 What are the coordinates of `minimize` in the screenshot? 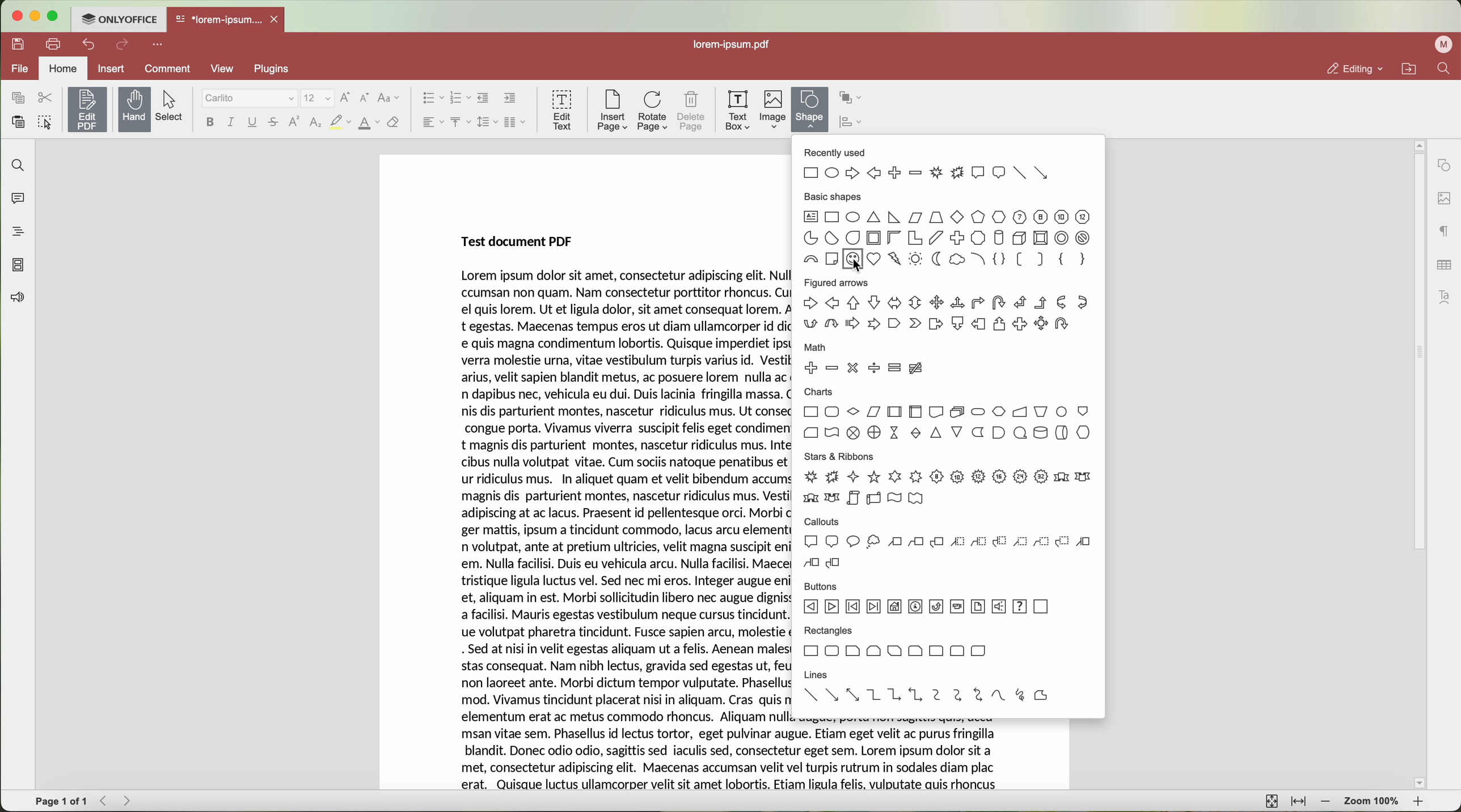 It's located at (36, 16).